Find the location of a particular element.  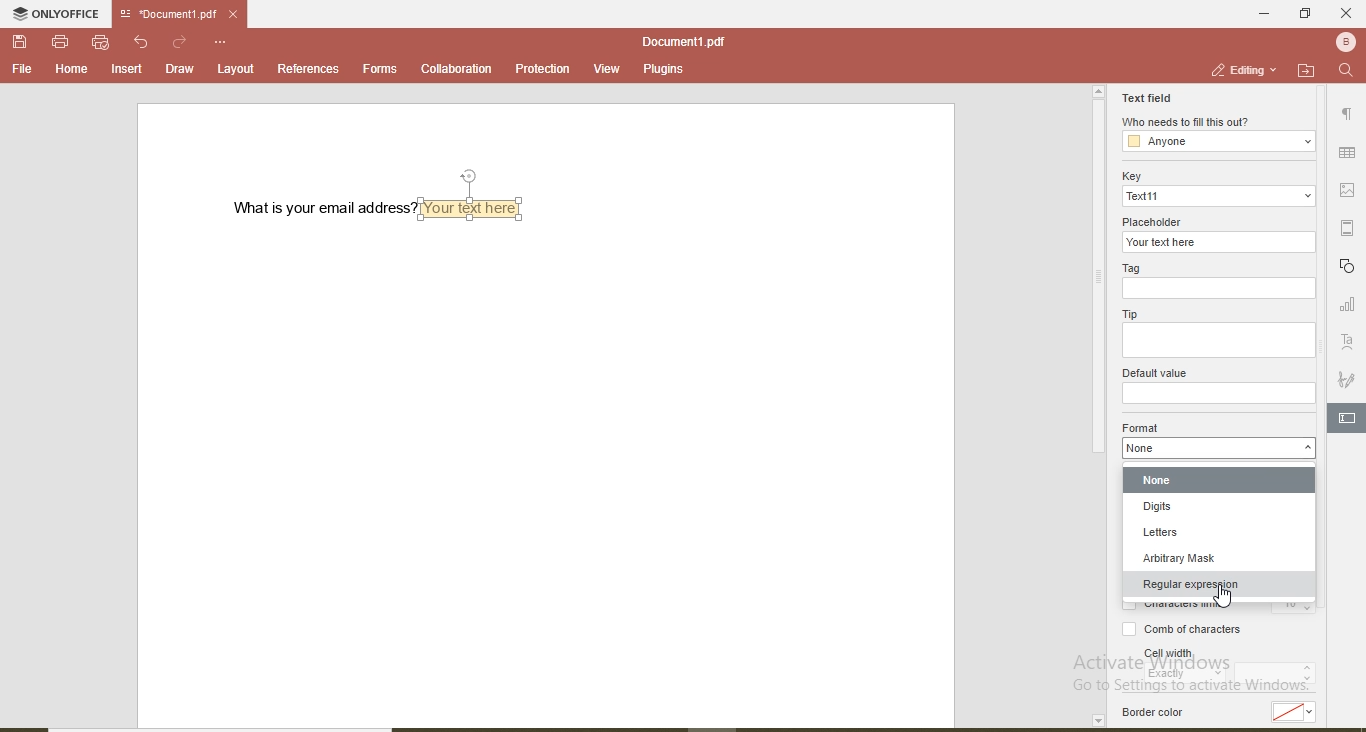

text is located at coordinates (1348, 342).